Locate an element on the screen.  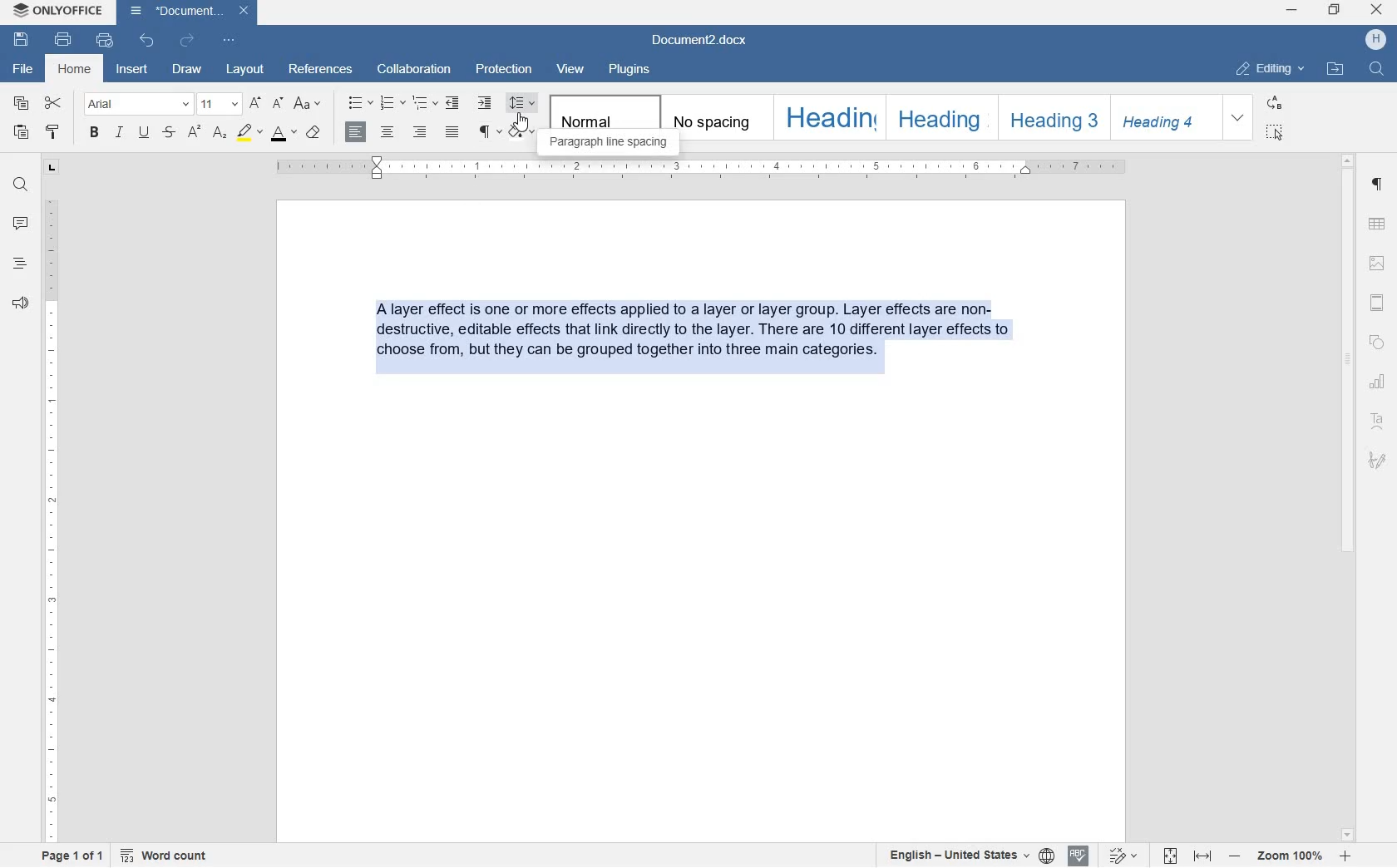
paragraph settings is located at coordinates (1379, 188).